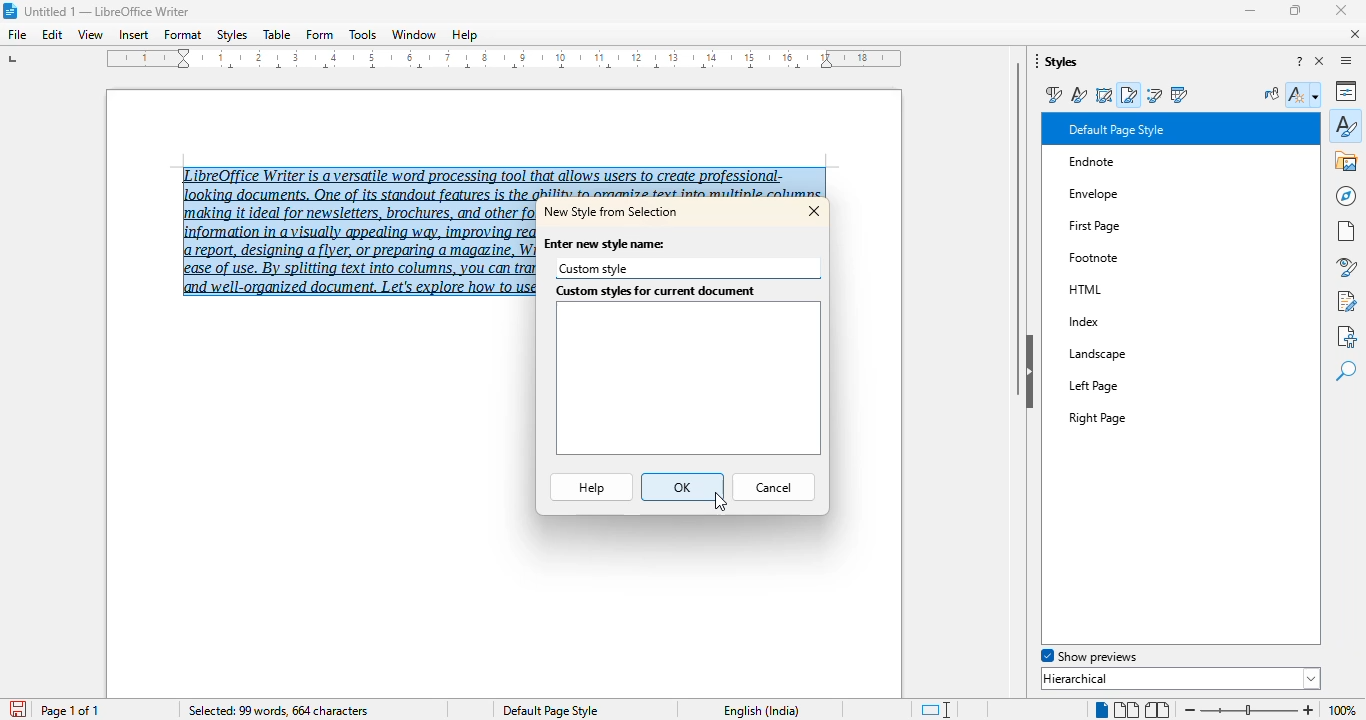  Describe the element at coordinates (363, 35) in the screenshot. I see `tools` at that location.